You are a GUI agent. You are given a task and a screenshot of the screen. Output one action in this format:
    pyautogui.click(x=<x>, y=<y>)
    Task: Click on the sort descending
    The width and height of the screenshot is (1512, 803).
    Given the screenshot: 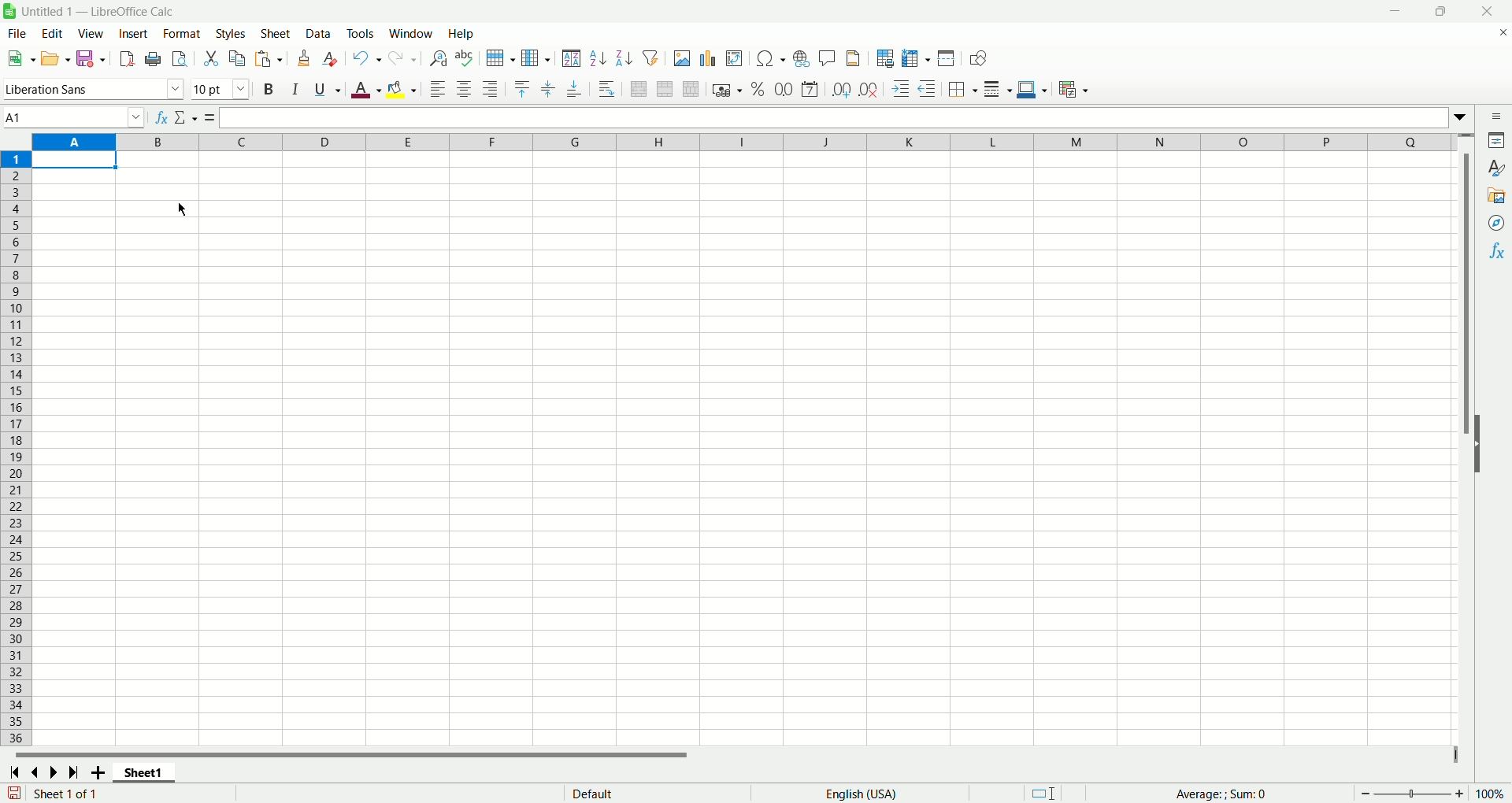 What is the action you would take?
    pyautogui.click(x=625, y=58)
    